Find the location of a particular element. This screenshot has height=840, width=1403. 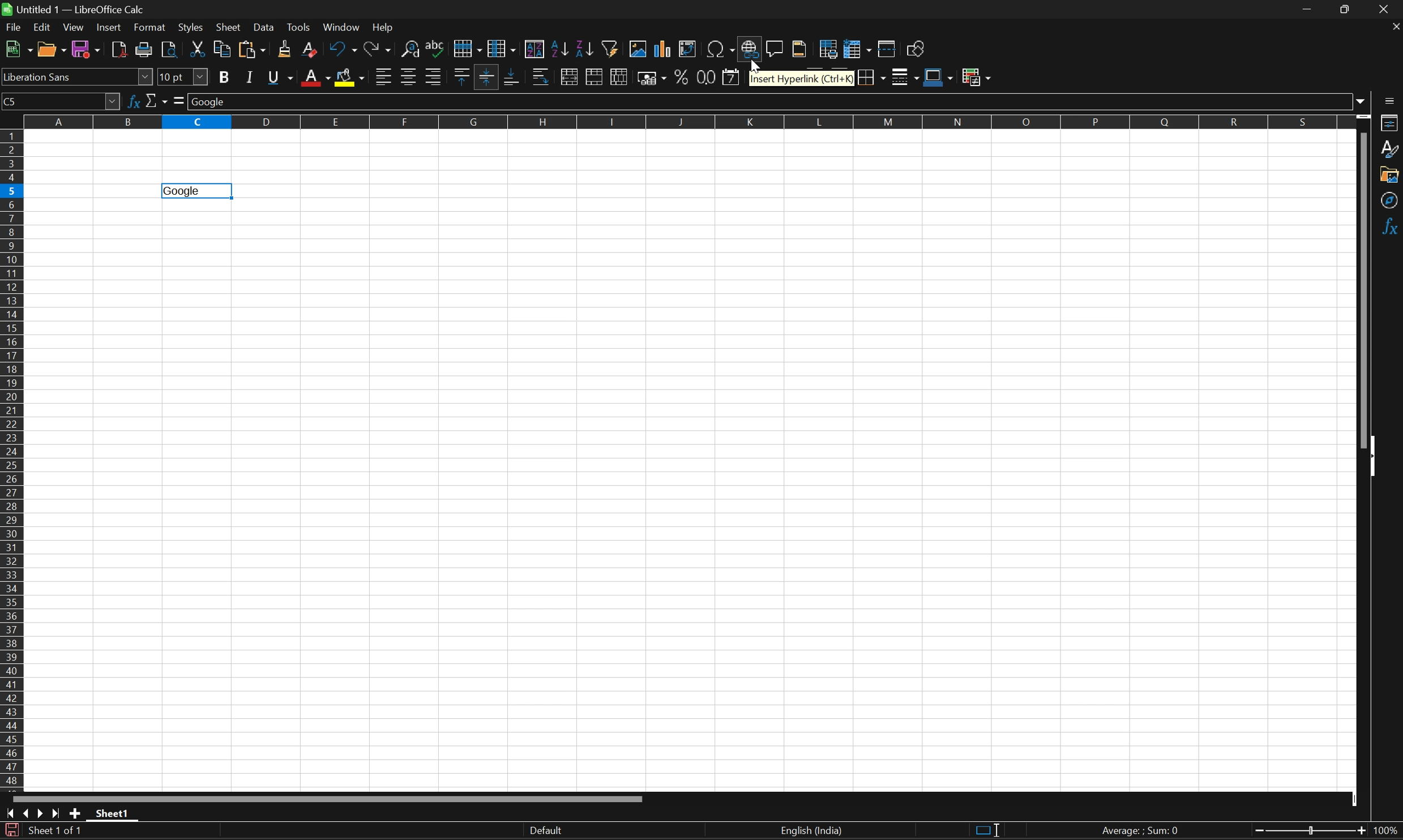

Insert Hyperlink (Ctrl+K) is located at coordinates (803, 79).